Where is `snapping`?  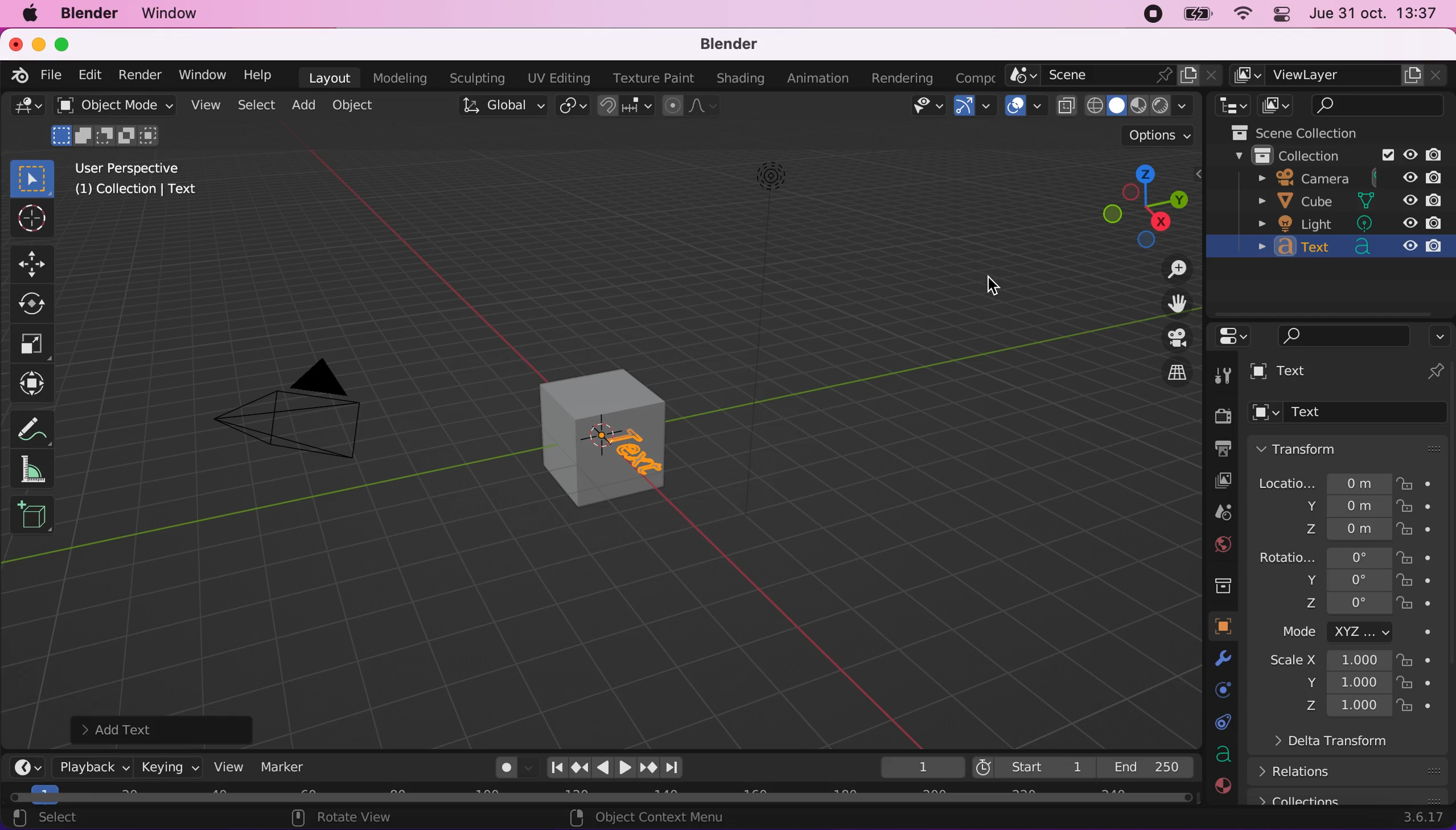
snapping is located at coordinates (626, 107).